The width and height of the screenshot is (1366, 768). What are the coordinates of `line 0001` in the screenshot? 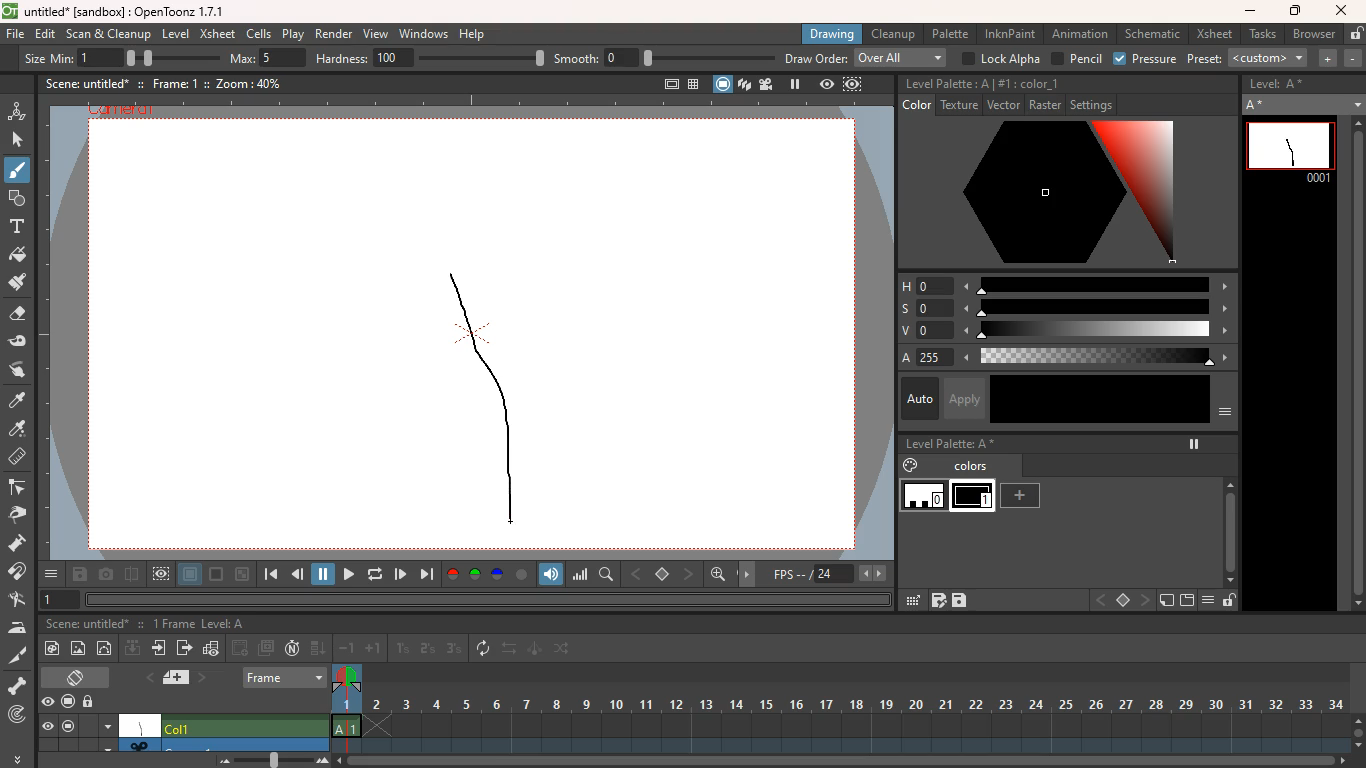 It's located at (1288, 151).